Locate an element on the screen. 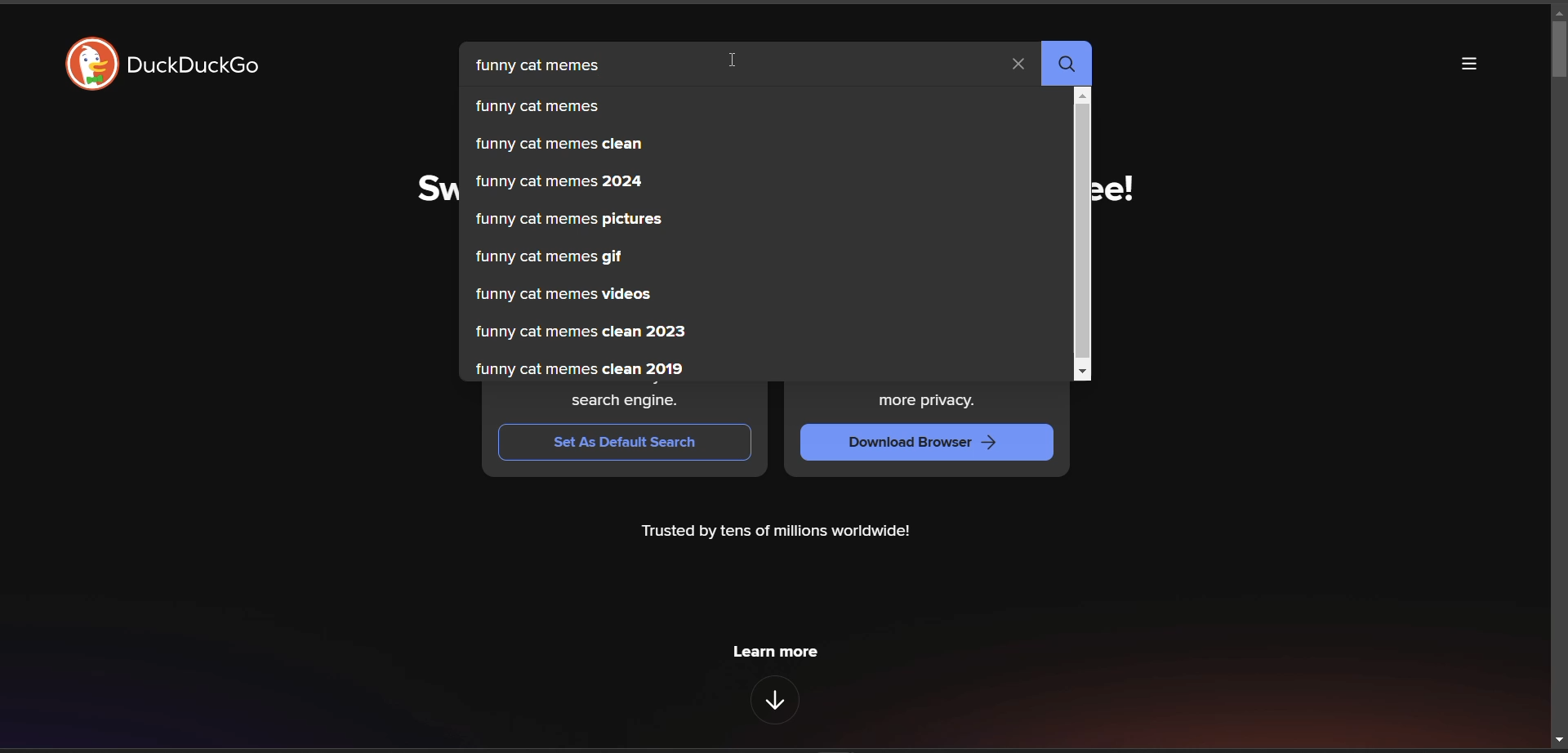 The height and width of the screenshot is (753, 1568). search engine. is located at coordinates (619, 403).